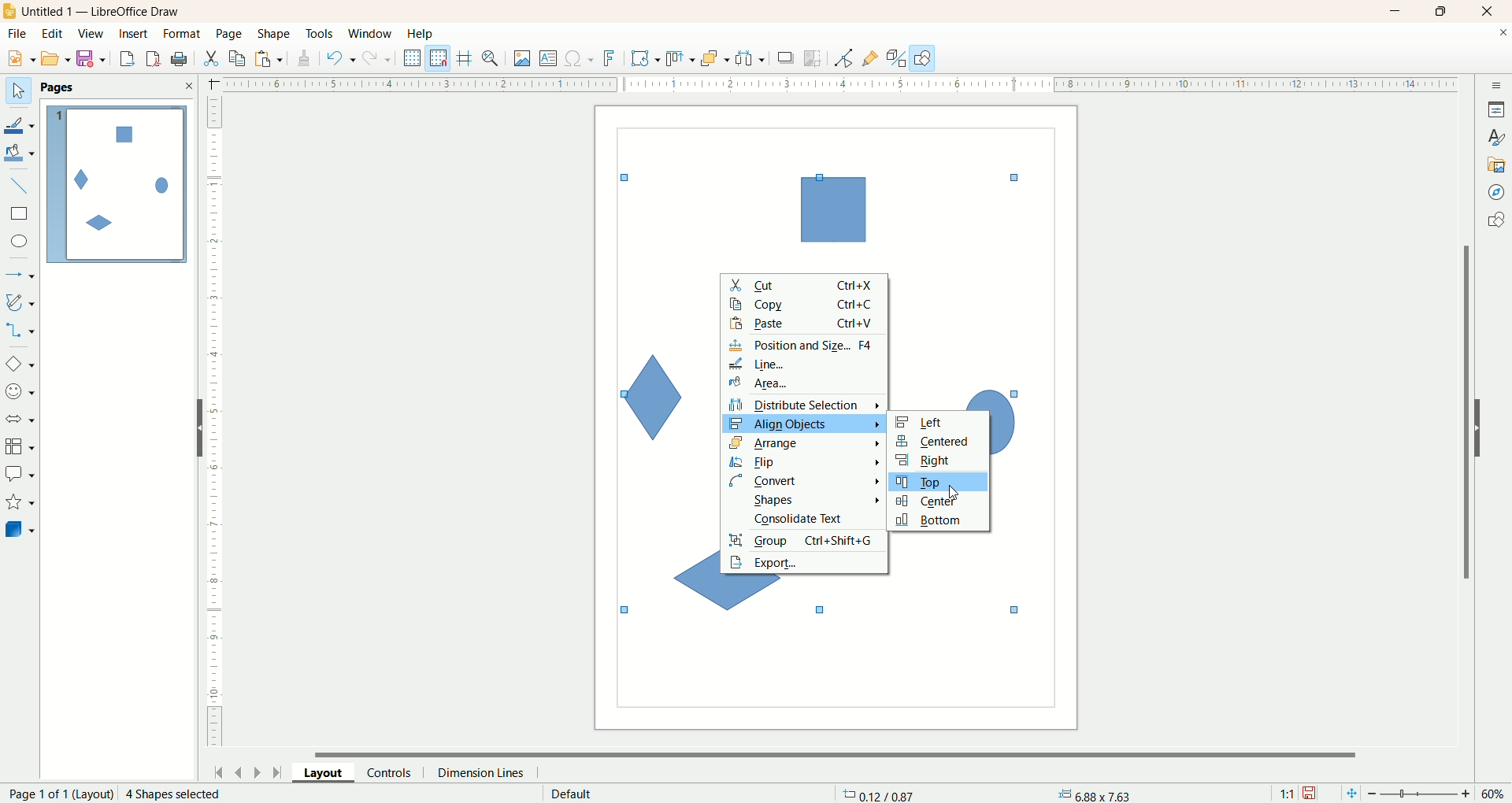 The width and height of the screenshot is (1512, 803). I want to click on lines and arrows, so click(21, 276).